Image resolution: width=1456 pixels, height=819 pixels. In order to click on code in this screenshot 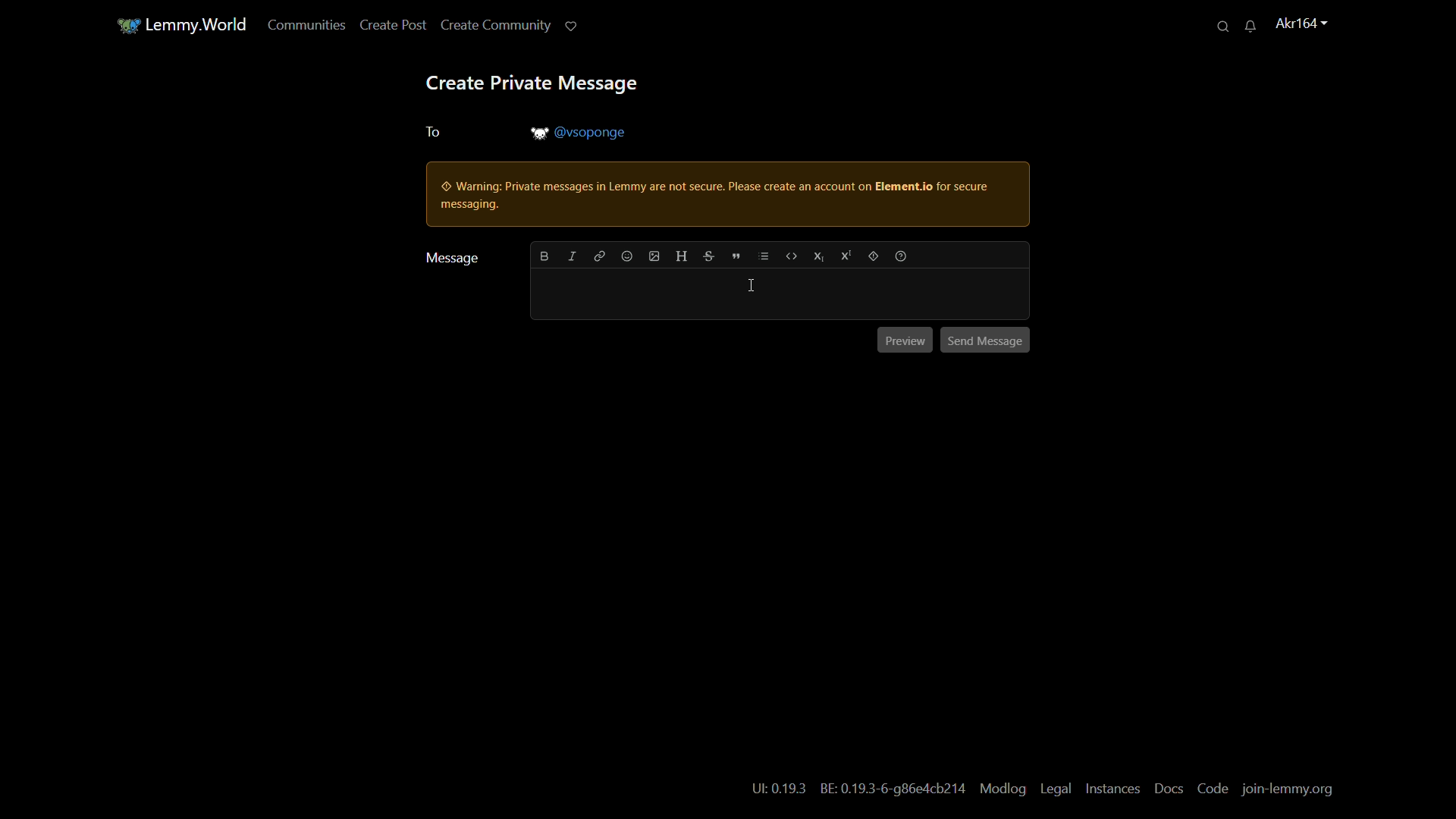, I will do `click(1212, 791)`.